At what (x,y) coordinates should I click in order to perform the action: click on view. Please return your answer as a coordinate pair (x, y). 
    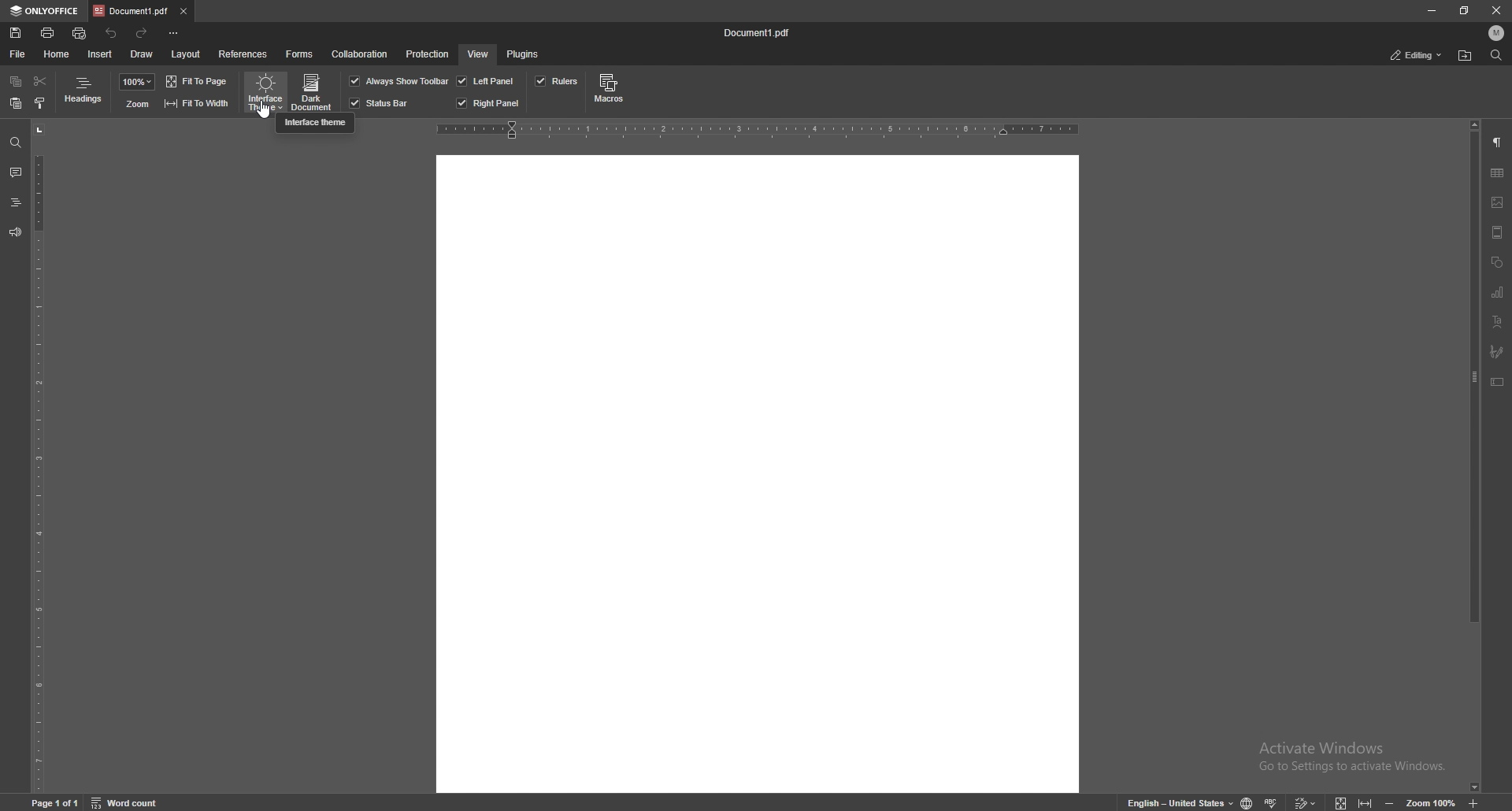
    Looking at the image, I should click on (476, 55).